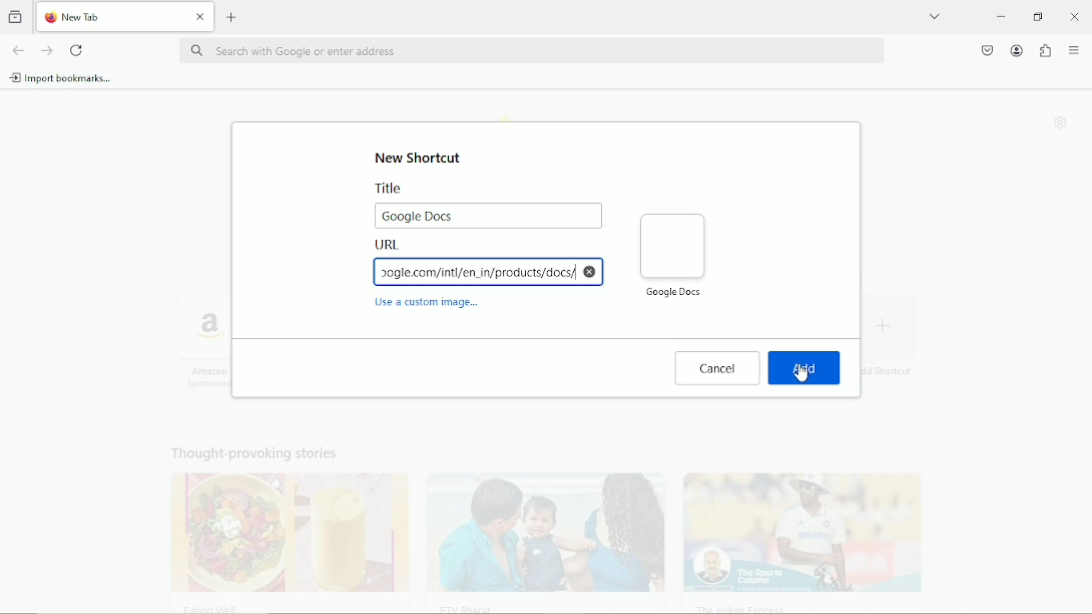 Image resolution: width=1092 pixels, height=614 pixels. I want to click on minimize, so click(999, 17).